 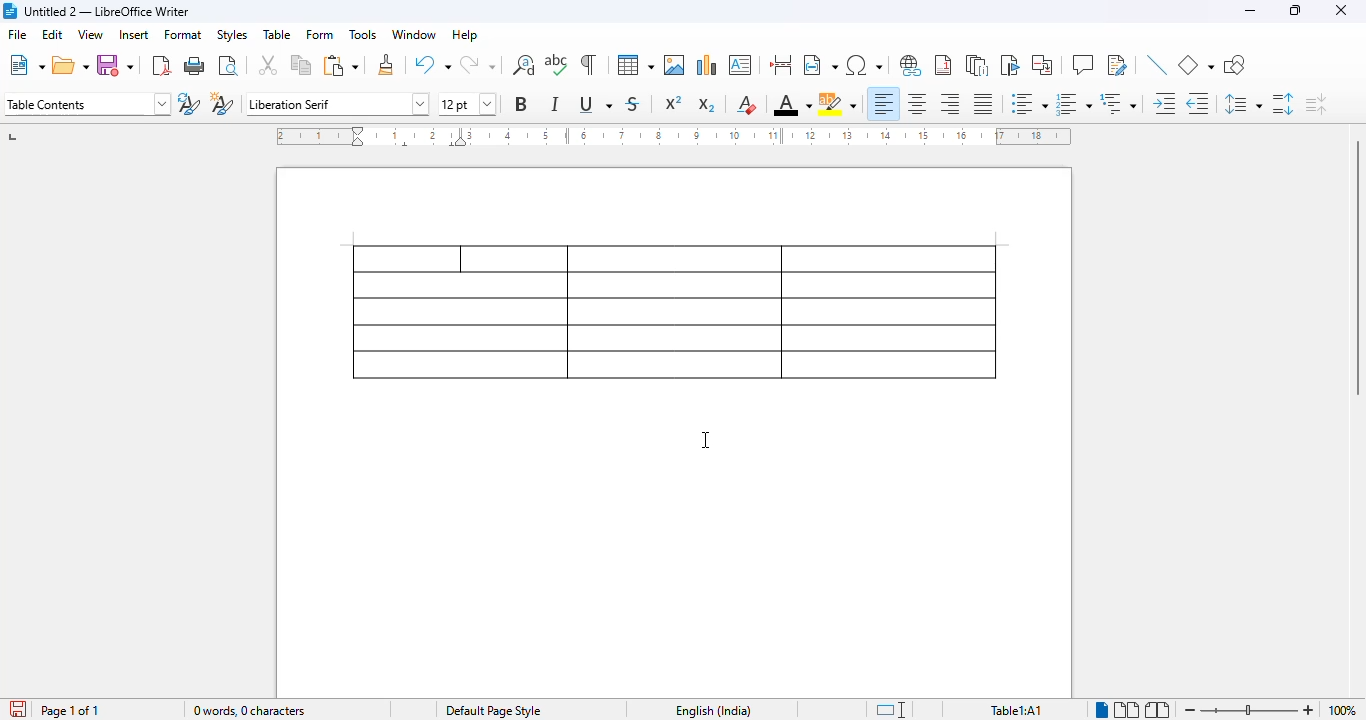 What do you see at coordinates (1282, 104) in the screenshot?
I see `increase paragraph spacing` at bounding box center [1282, 104].